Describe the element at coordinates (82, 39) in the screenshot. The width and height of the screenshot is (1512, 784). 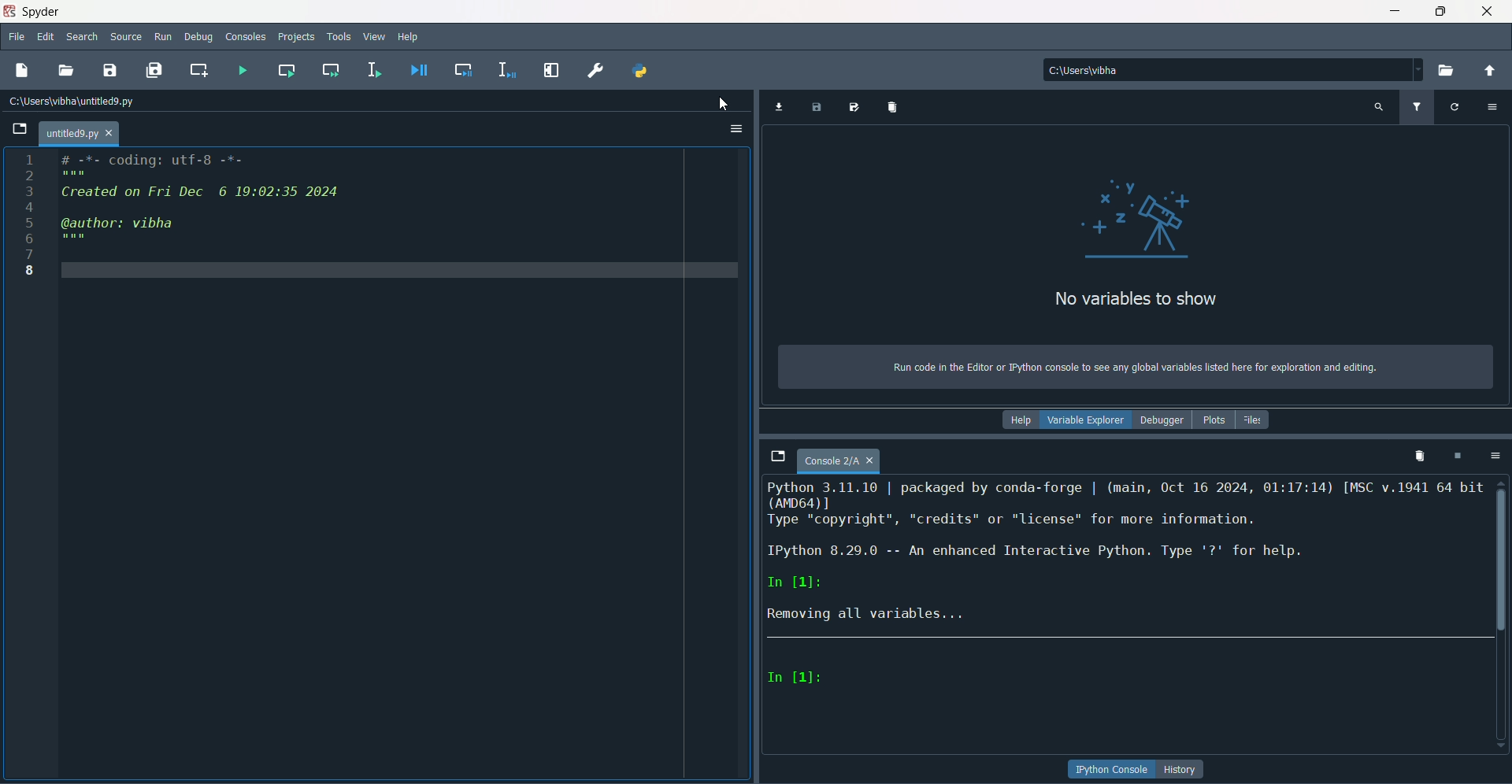
I see `search` at that location.